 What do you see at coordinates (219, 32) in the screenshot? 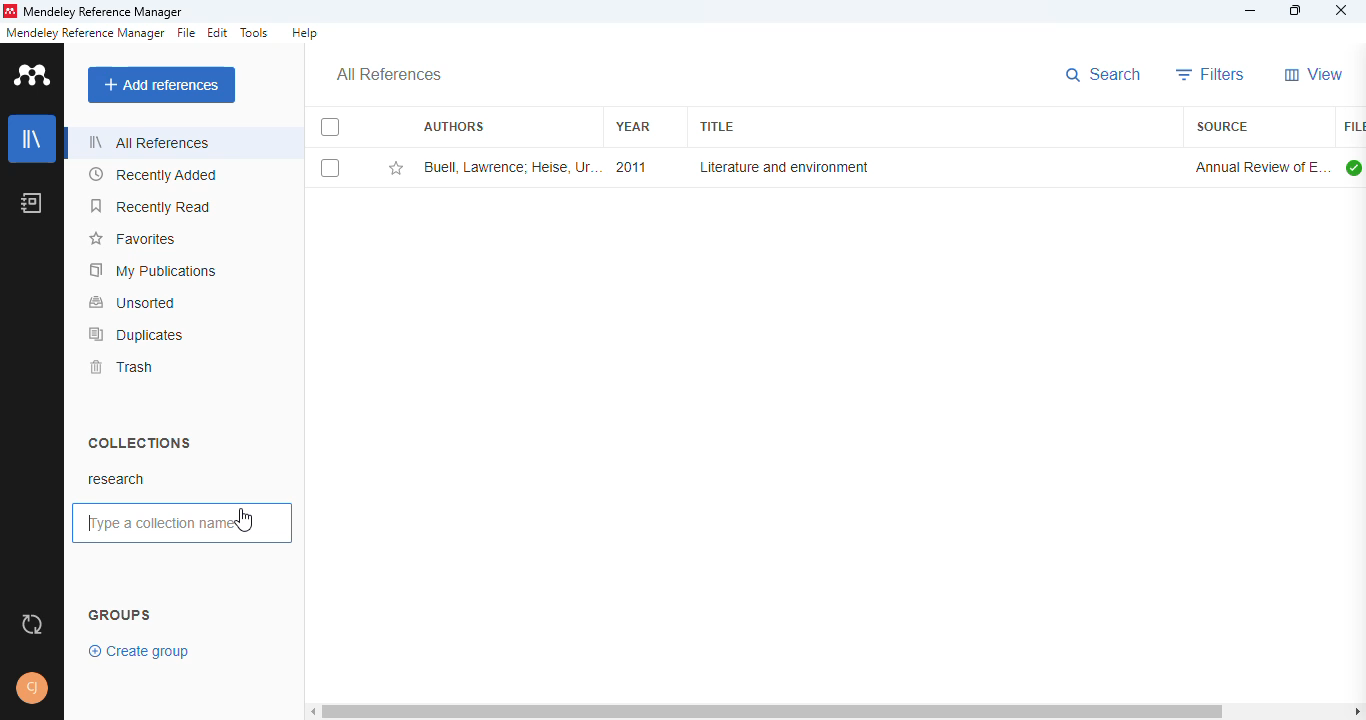
I see `edit` at bounding box center [219, 32].